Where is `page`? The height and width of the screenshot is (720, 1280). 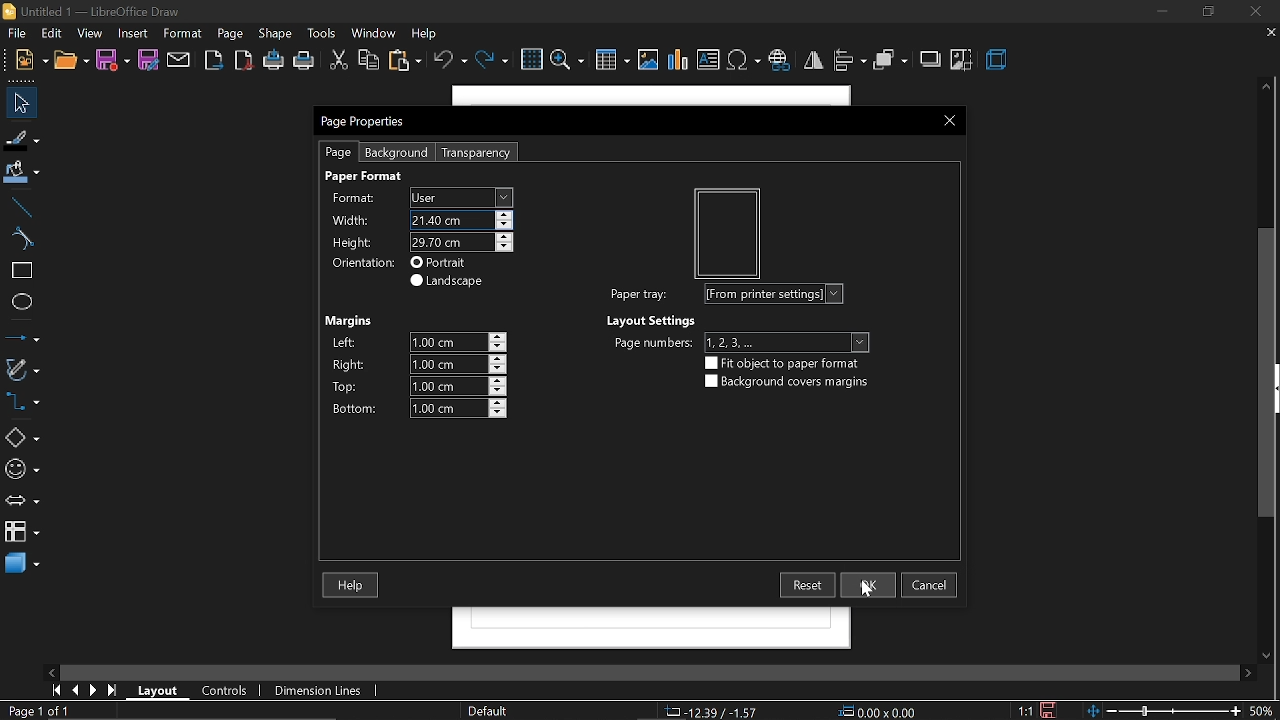 page is located at coordinates (230, 34).